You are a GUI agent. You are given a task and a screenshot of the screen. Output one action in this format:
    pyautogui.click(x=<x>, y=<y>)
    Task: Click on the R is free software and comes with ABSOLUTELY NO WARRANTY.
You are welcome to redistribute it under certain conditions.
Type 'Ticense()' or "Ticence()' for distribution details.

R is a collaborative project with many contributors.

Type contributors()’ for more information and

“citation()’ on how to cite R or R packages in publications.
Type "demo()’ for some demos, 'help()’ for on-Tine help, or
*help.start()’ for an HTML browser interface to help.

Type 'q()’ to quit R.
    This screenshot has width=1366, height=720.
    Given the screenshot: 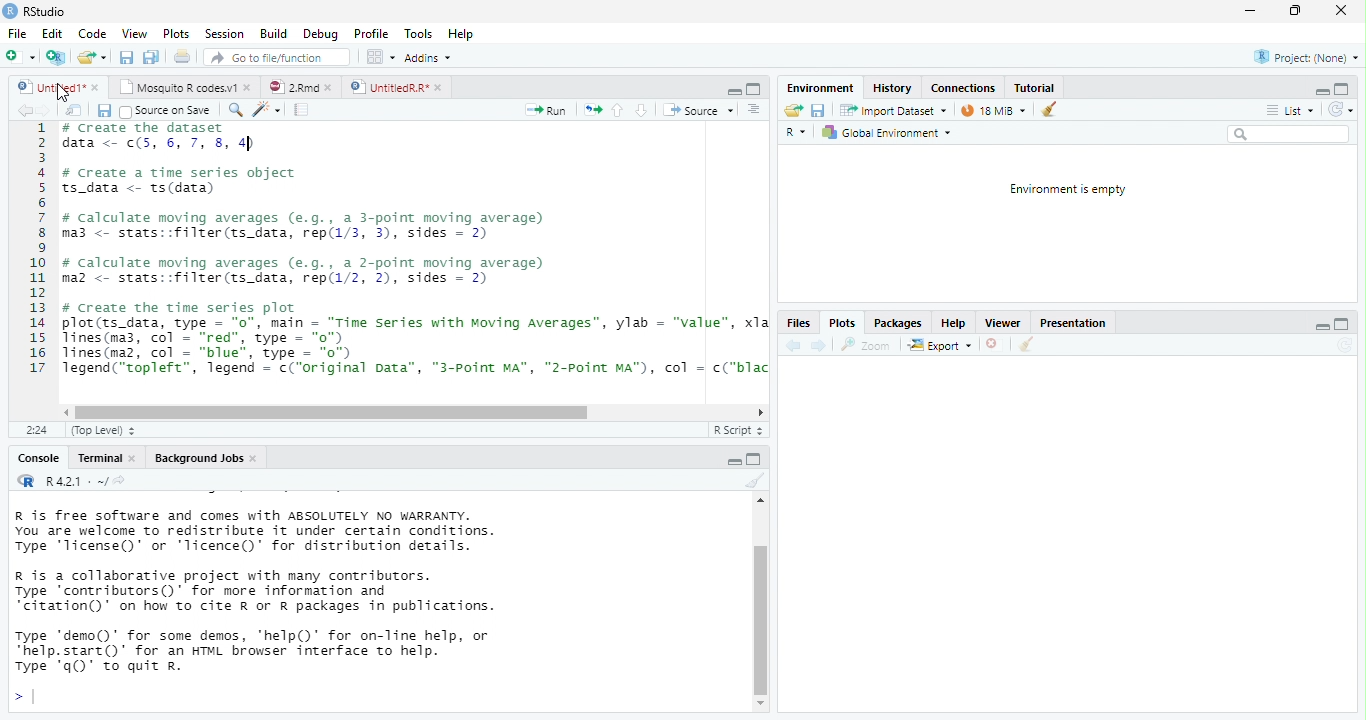 What is the action you would take?
    pyautogui.click(x=340, y=591)
    